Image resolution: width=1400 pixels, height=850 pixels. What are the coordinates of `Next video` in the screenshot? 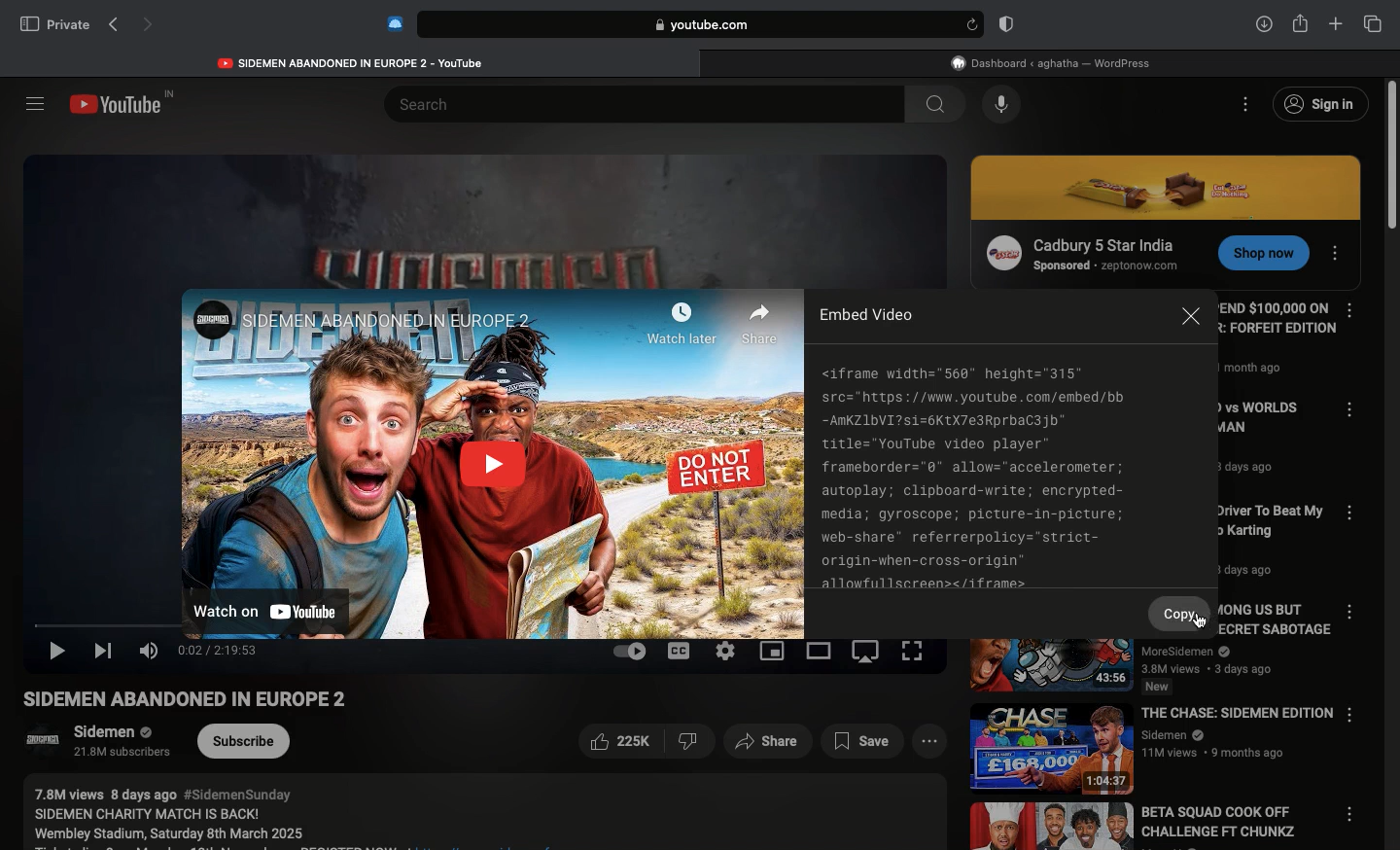 It's located at (106, 652).